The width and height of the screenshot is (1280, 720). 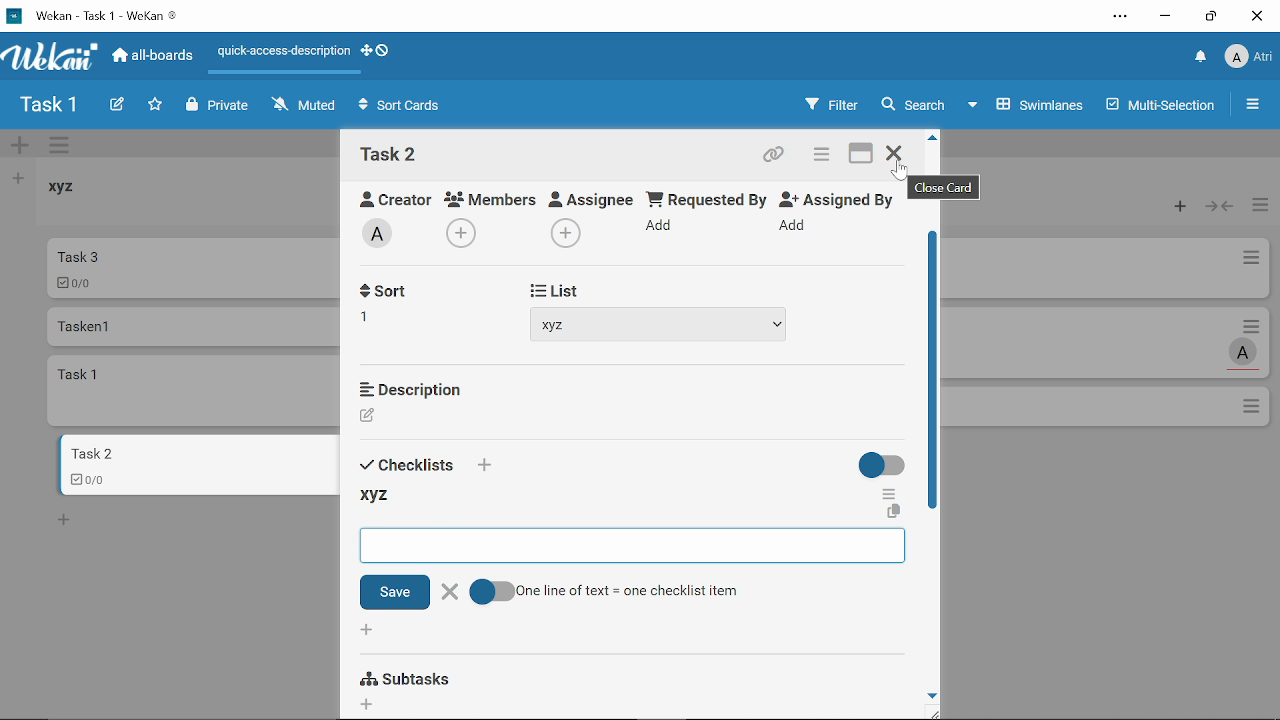 What do you see at coordinates (628, 590) in the screenshot?
I see `One line of text = one checklist item` at bounding box center [628, 590].